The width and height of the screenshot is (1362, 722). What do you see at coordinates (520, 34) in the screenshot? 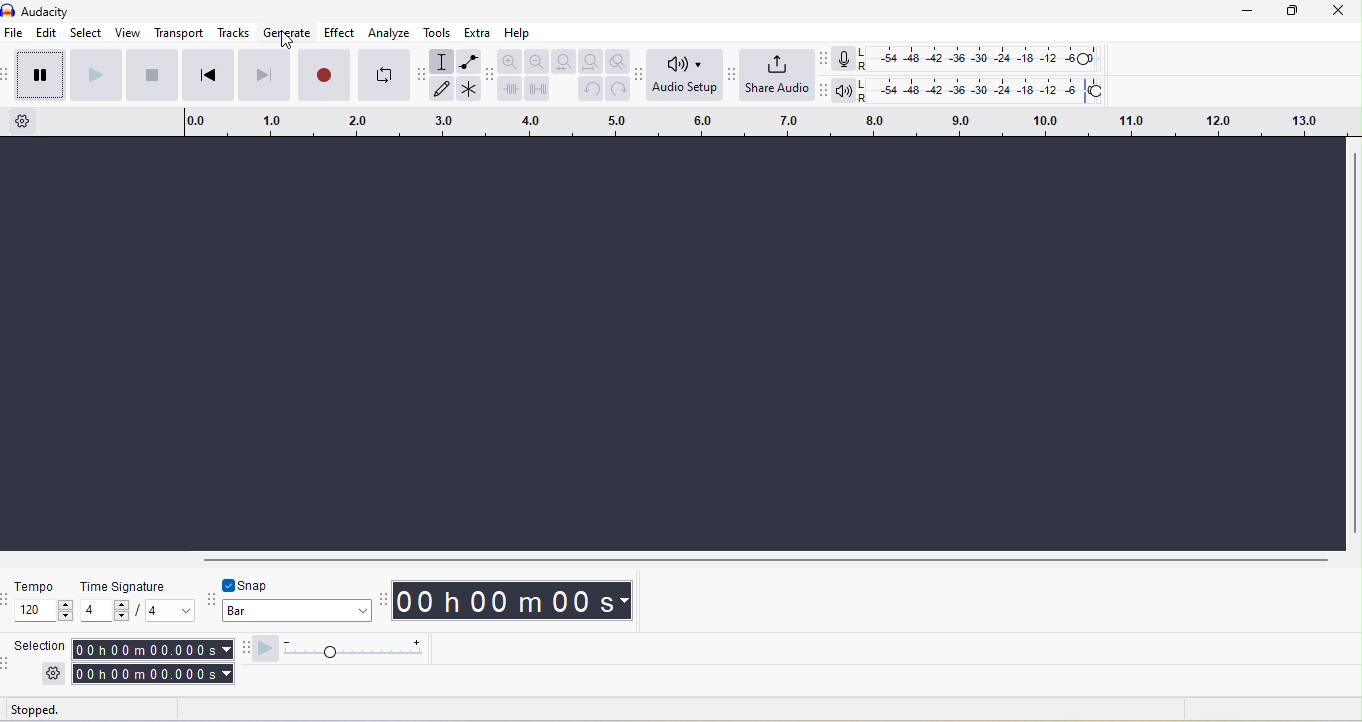
I see `help` at bounding box center [520, 34].